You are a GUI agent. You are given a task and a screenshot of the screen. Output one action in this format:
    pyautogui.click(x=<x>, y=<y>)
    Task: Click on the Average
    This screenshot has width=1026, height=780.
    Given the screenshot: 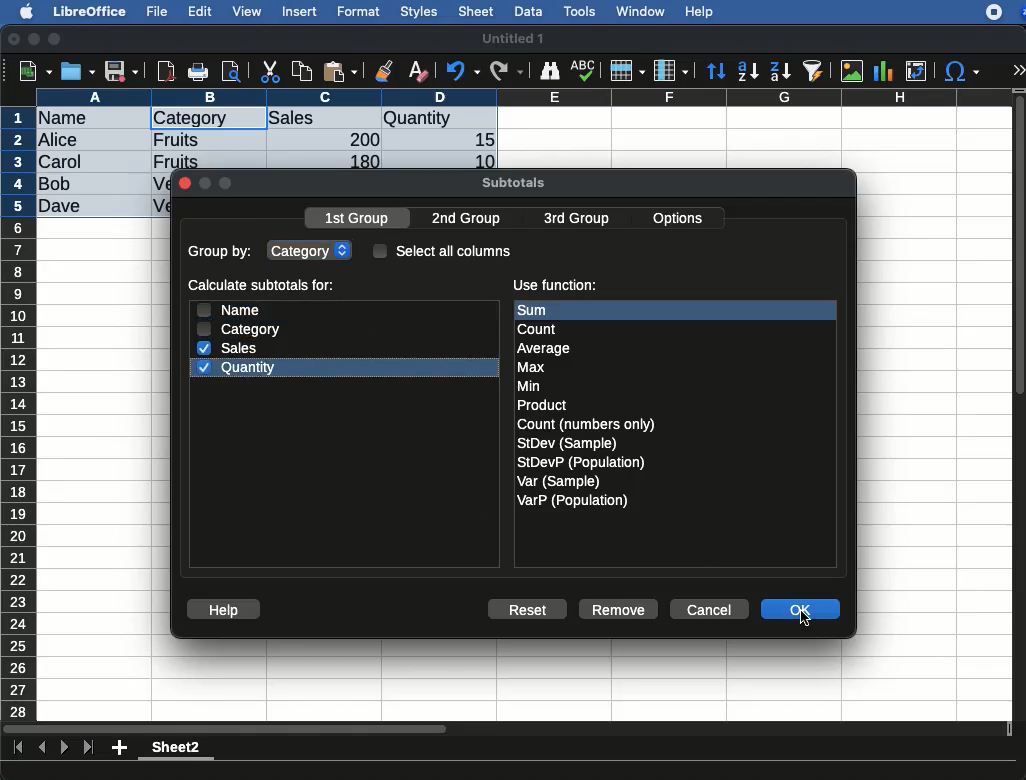 What is the action you would take?
    pyautogui.click(x=545, y=348)
    